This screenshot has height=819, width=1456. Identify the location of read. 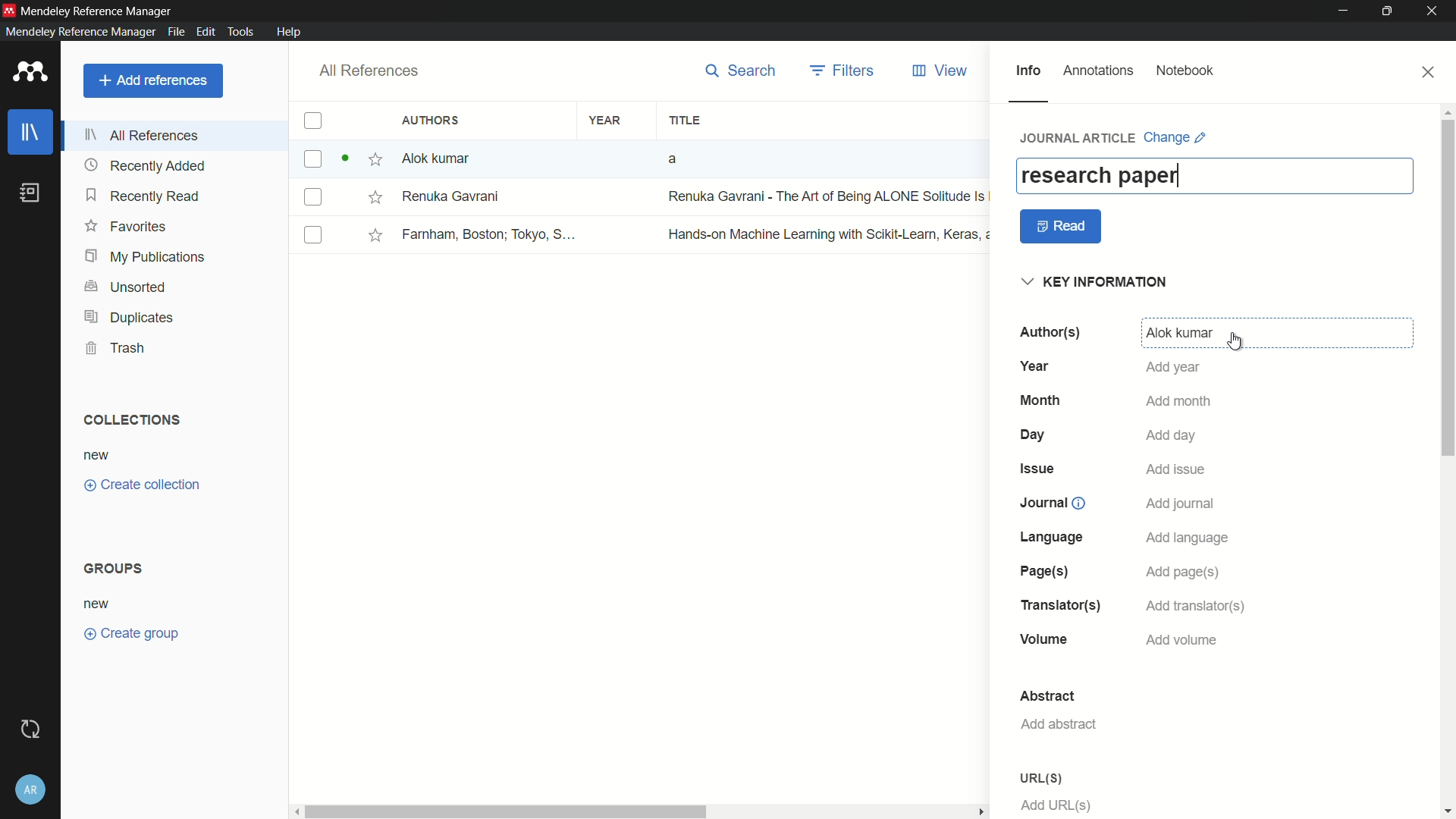
(1062, 227).